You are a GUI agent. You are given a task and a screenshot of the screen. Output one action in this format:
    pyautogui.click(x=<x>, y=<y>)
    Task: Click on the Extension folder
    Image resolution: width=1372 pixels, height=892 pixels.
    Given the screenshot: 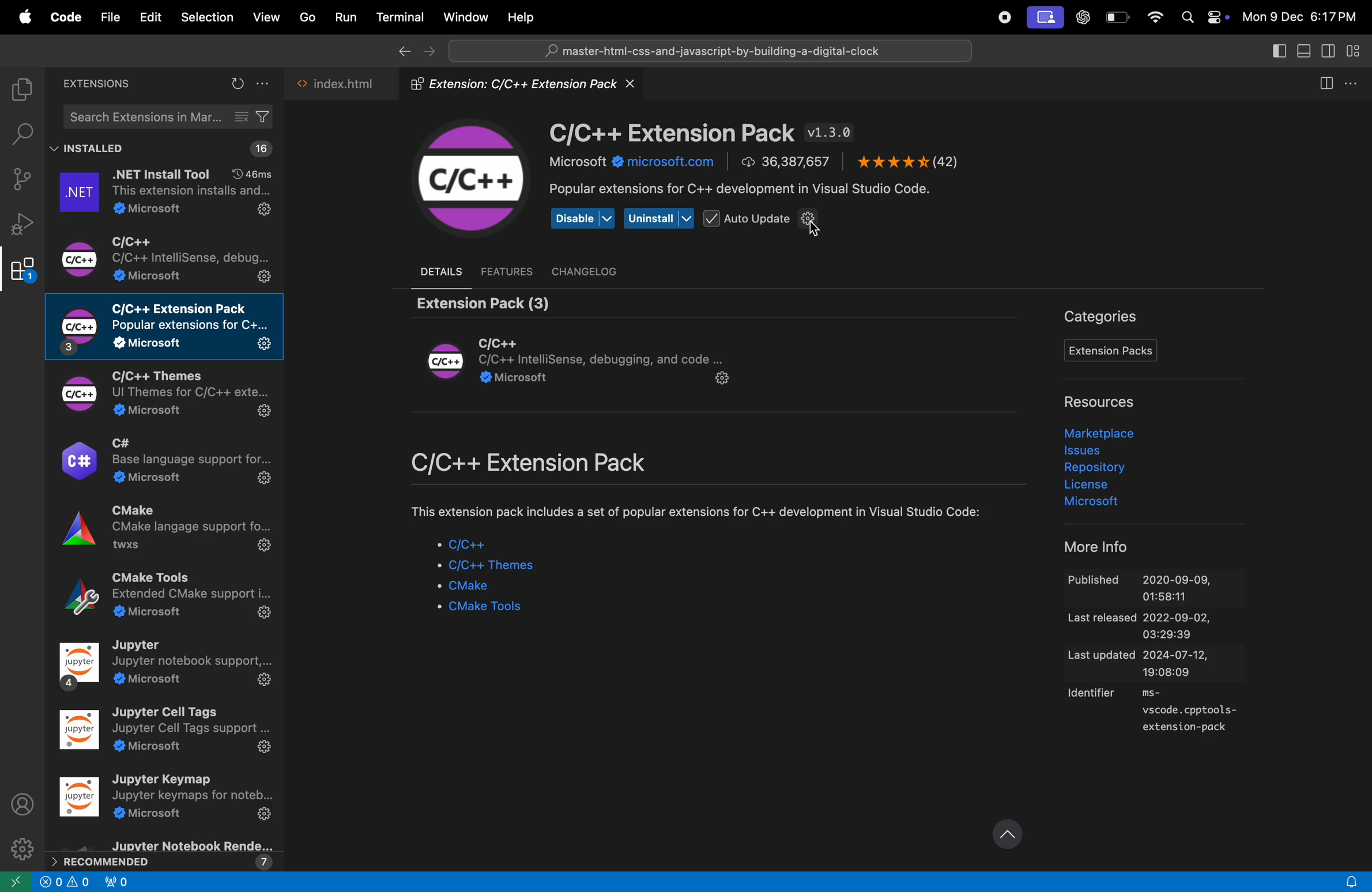 What is the action you would take?
    pyautogui.click(x=521, y=86)
    